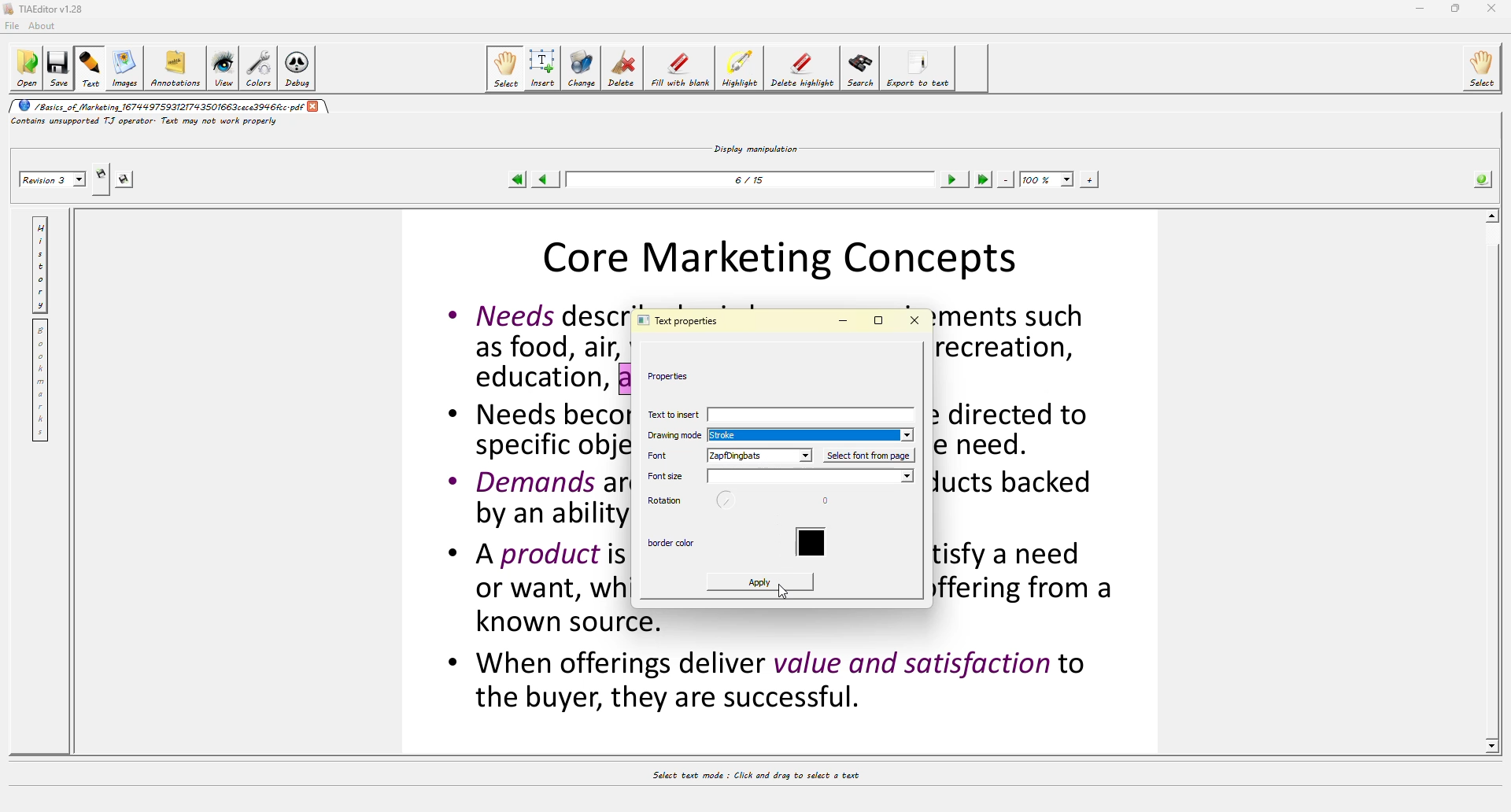  Describe the element at coordinates (730, 435) in the screenshot. I see `stroke` at that location.